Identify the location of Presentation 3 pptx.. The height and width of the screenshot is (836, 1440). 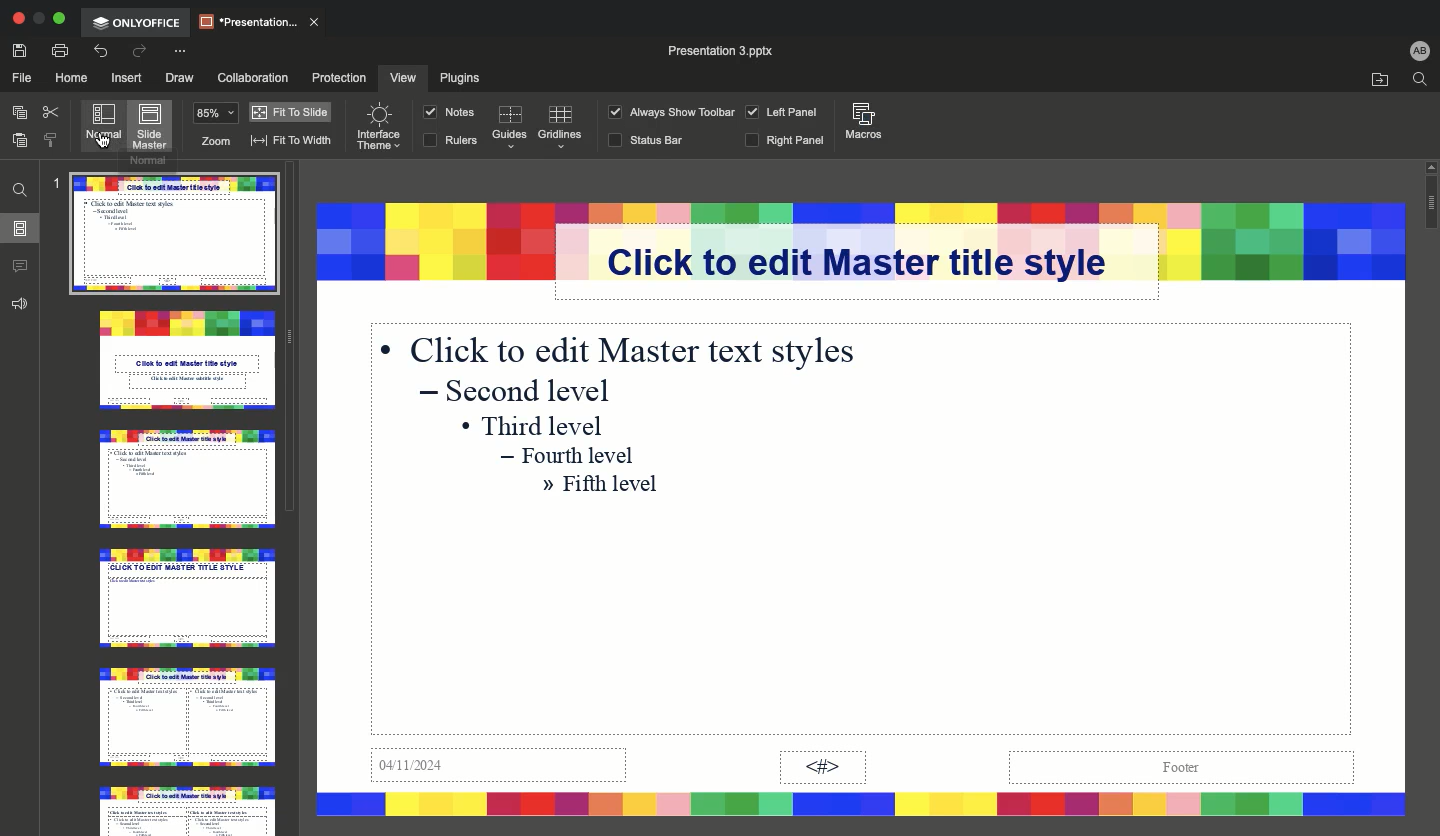
(735, 50).